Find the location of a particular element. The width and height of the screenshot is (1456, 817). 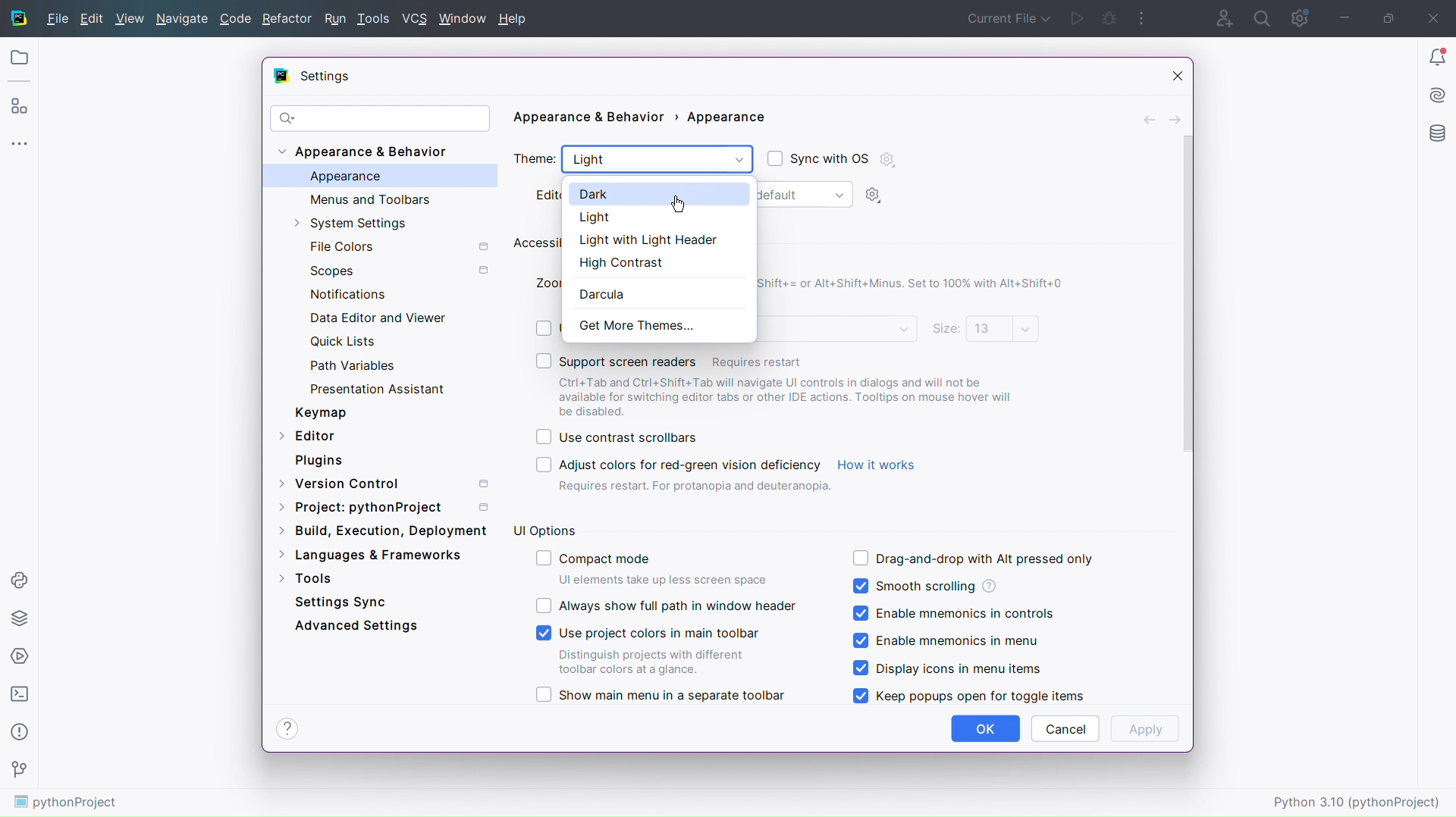

Cancel is located at coordinates (1065, 728).